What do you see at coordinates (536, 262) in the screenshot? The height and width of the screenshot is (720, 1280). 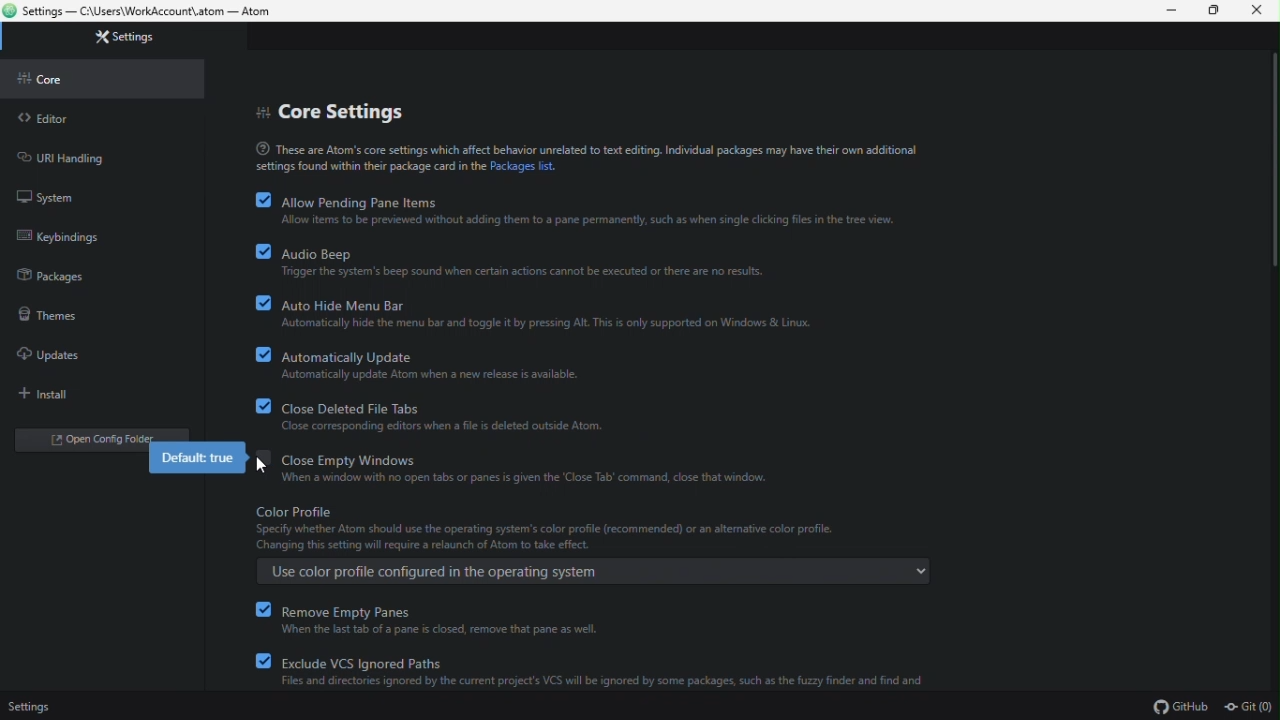 I see `audio beep` at bounding box center [536, 262].